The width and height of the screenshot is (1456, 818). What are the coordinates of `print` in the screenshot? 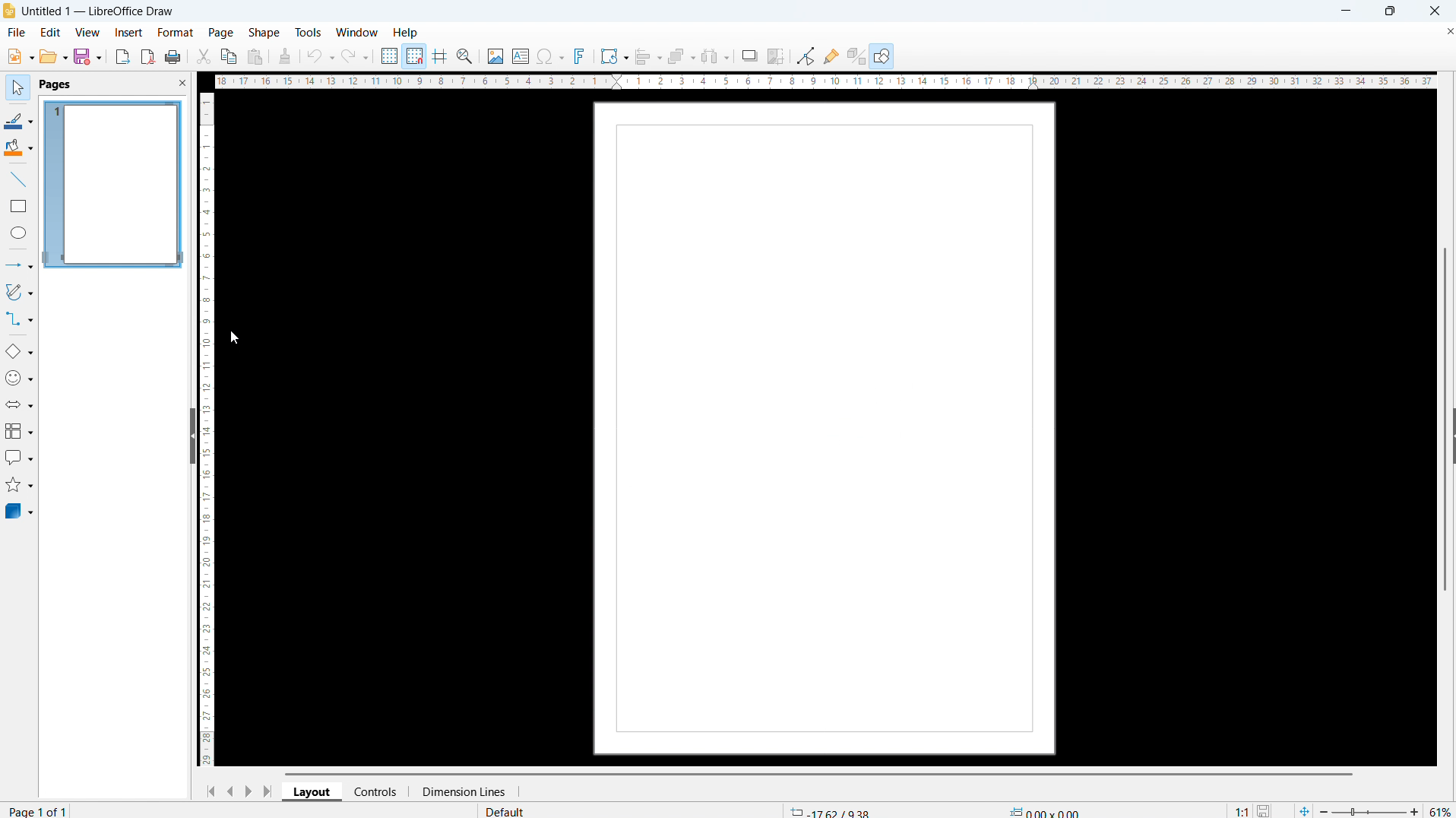 It's located at (173, 55).